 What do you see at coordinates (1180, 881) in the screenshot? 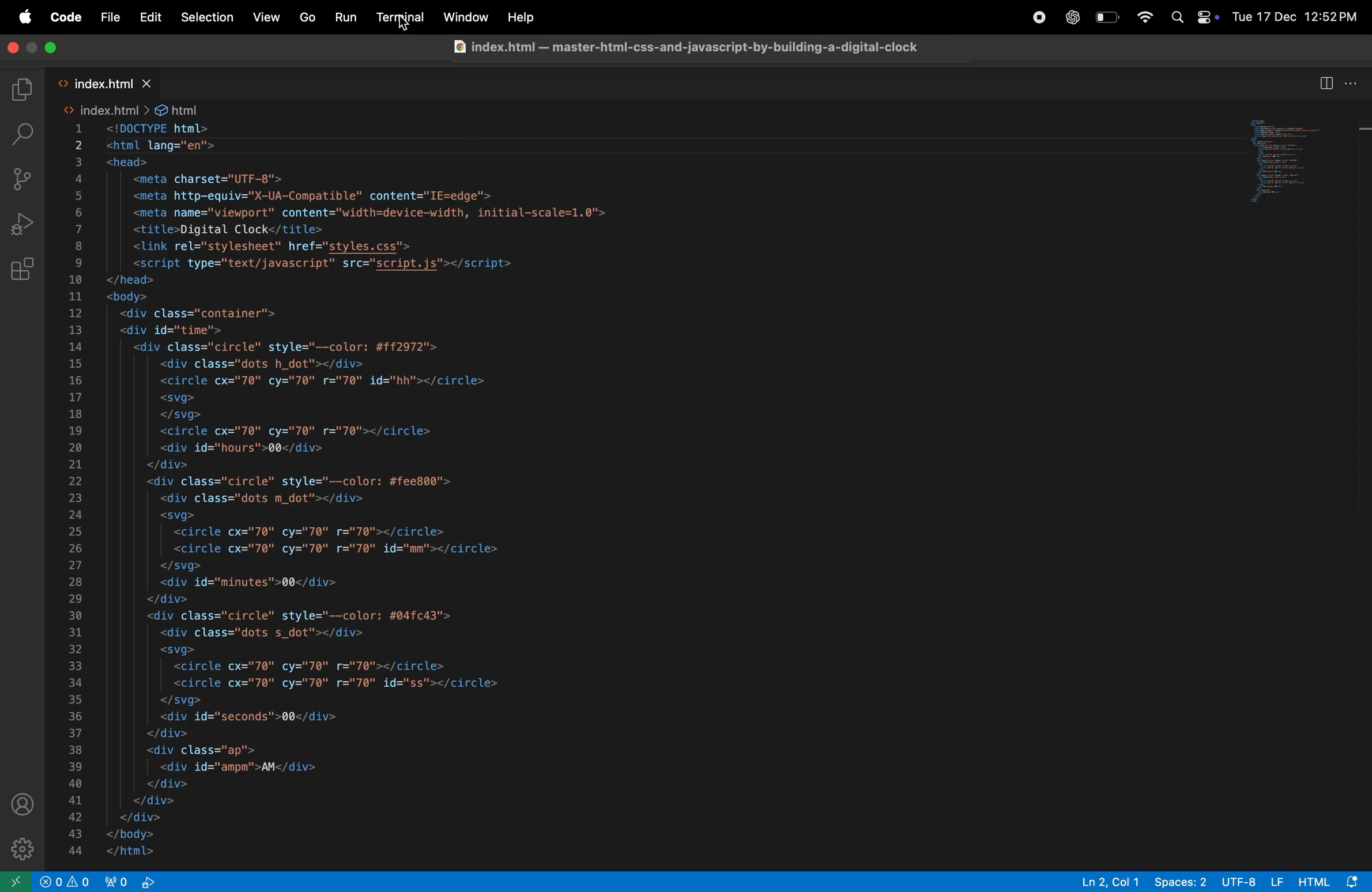
I see `spaces: 2` at bounding box center [1180, 881].